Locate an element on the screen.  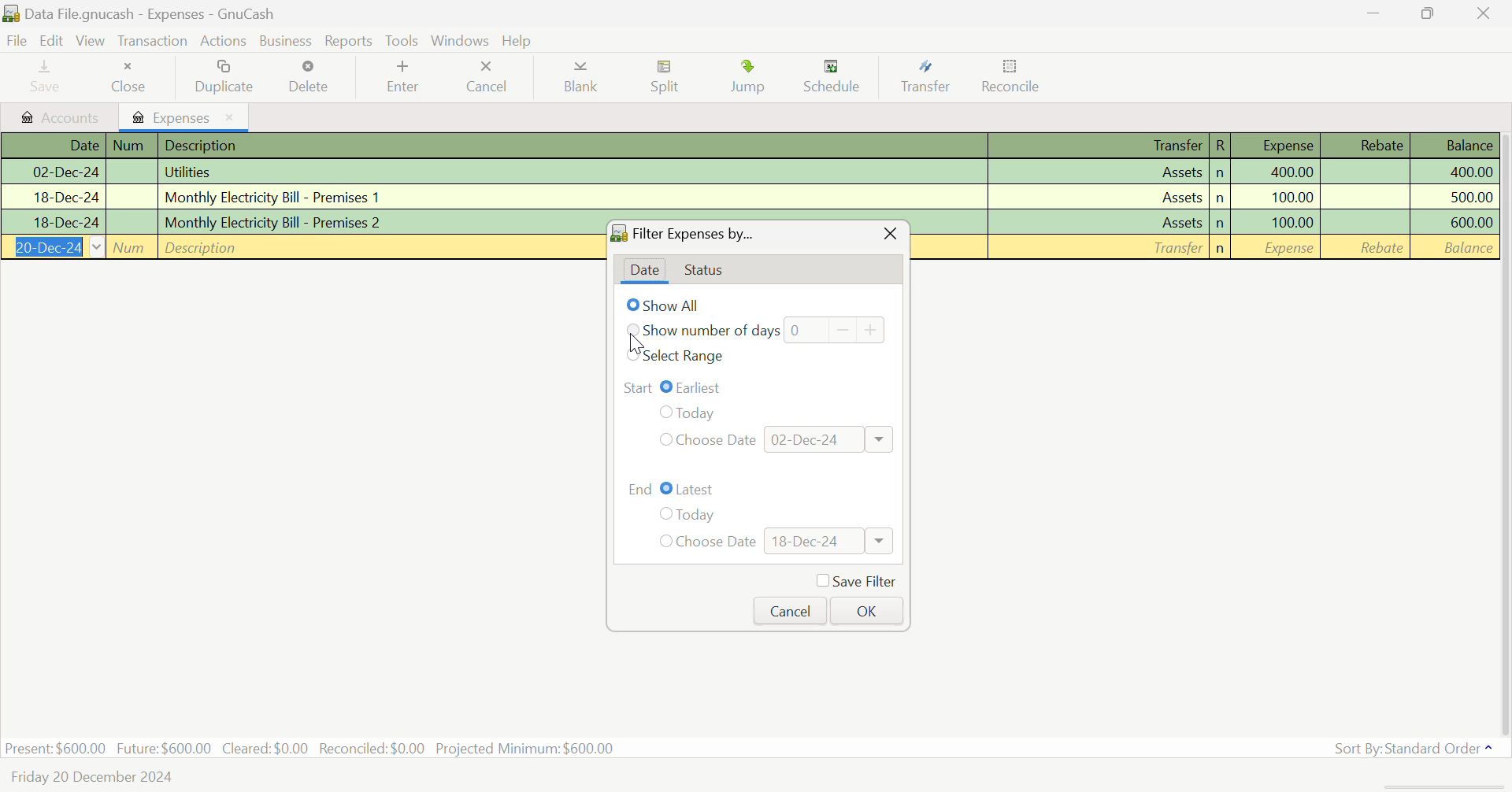
Balance is located at coordinates (1451, 147).